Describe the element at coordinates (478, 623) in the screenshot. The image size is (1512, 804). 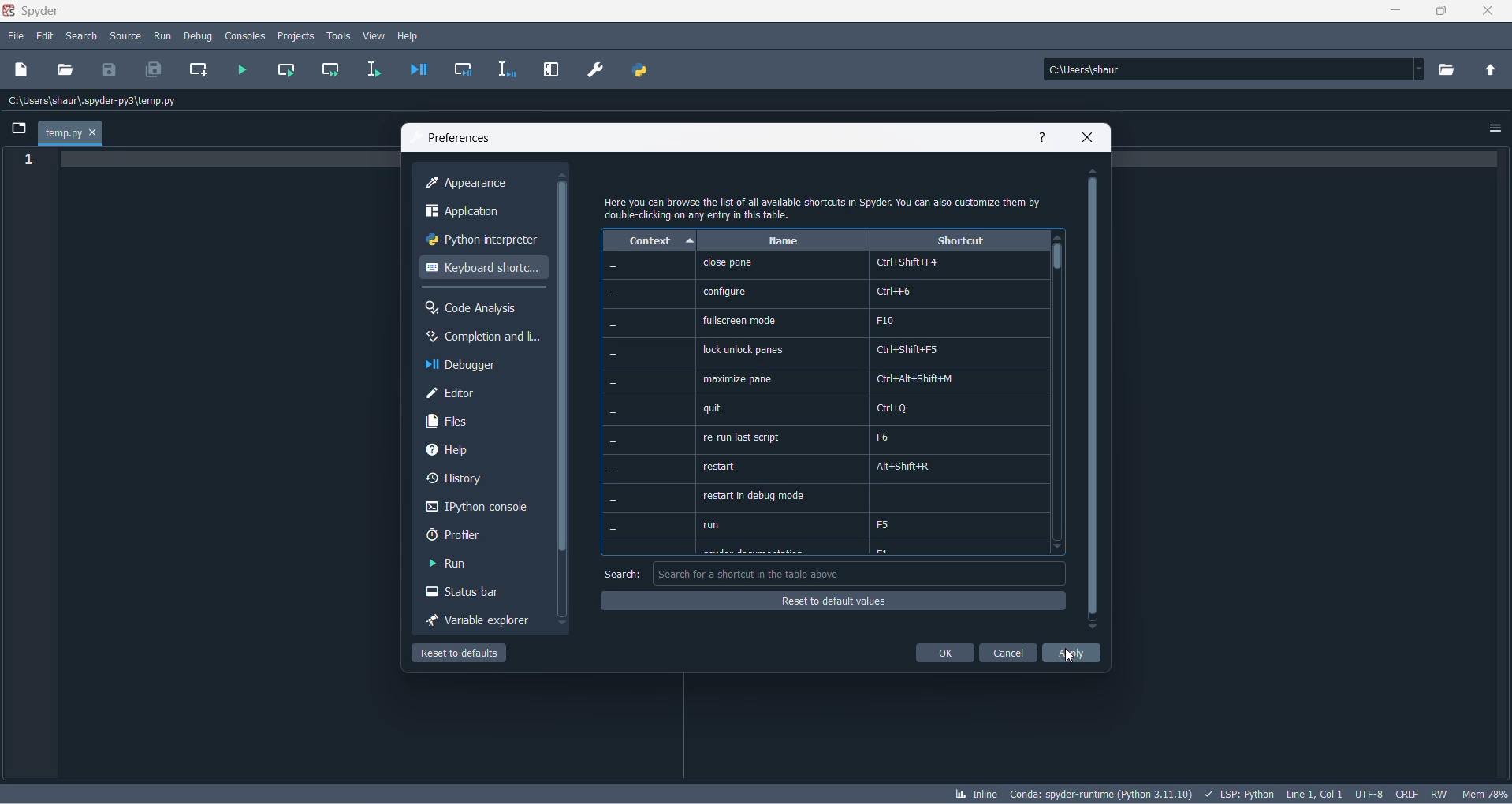
I see `variable exploreer` at that location.